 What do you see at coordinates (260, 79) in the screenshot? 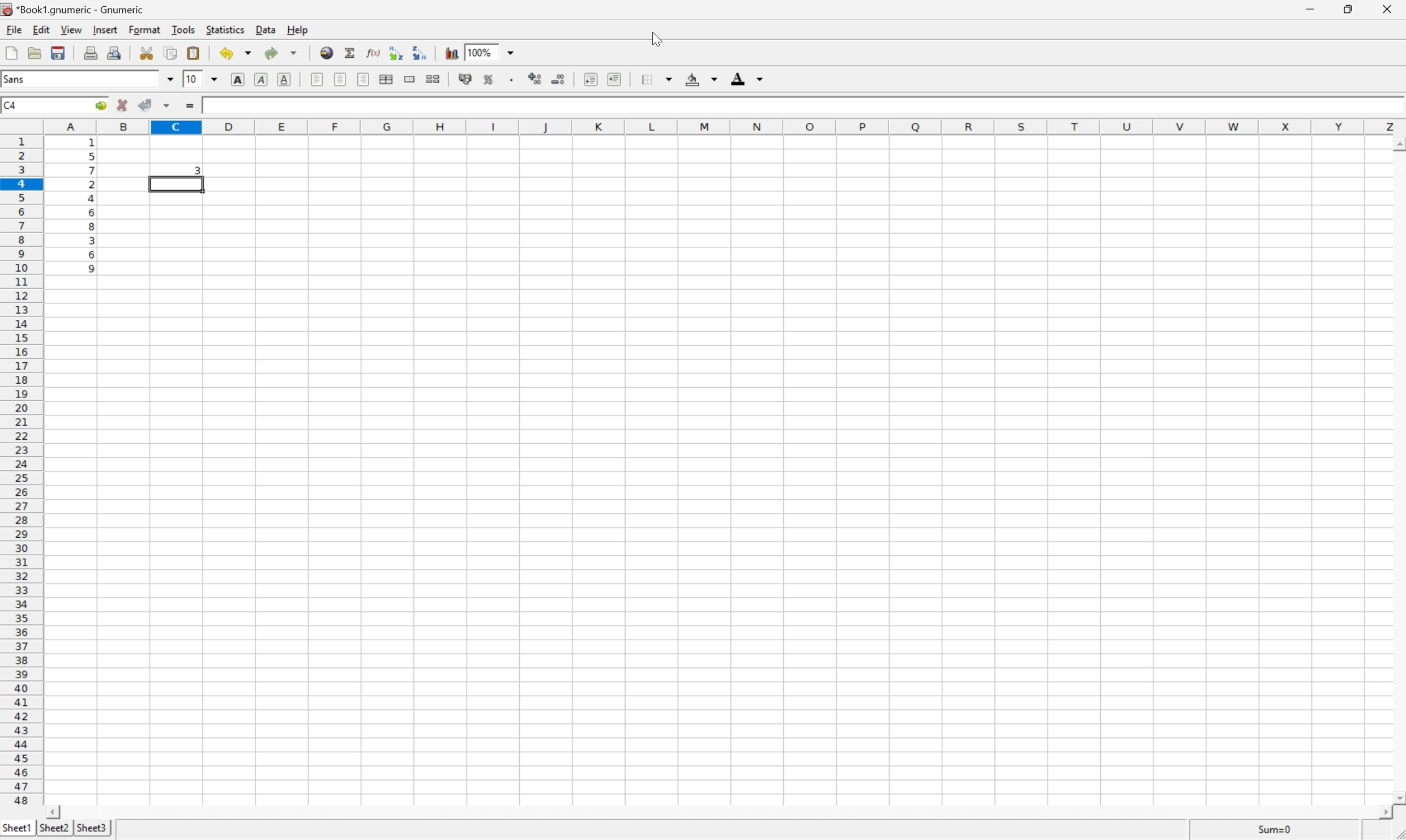
I see `italic` at bounding box center [260, 79].